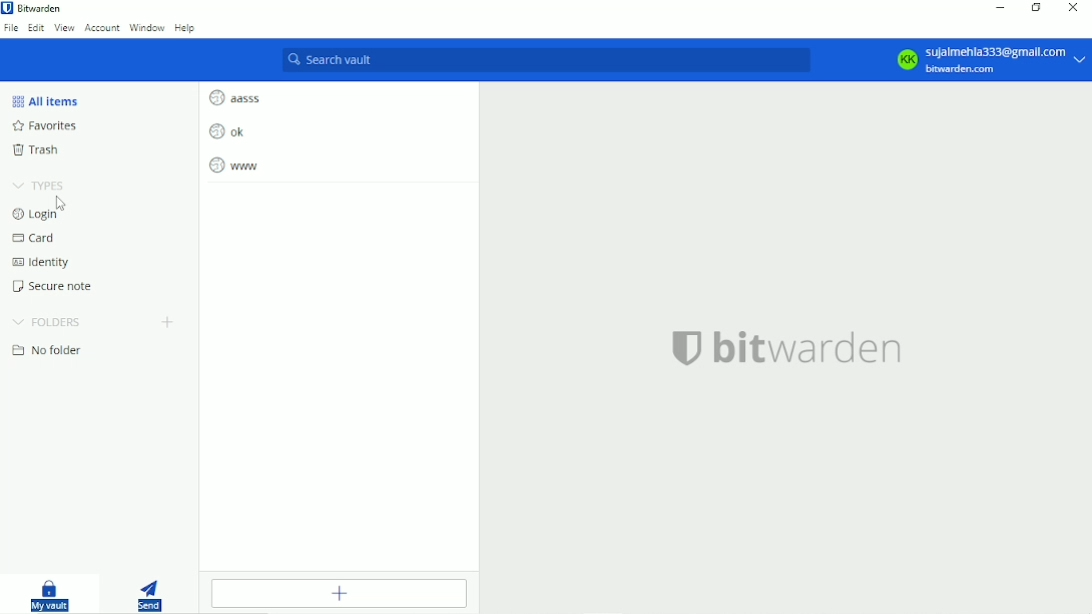  What do you see at coordinates (50, 213) in the screenshot?
I see `Login` at bounding box center [50, 213].